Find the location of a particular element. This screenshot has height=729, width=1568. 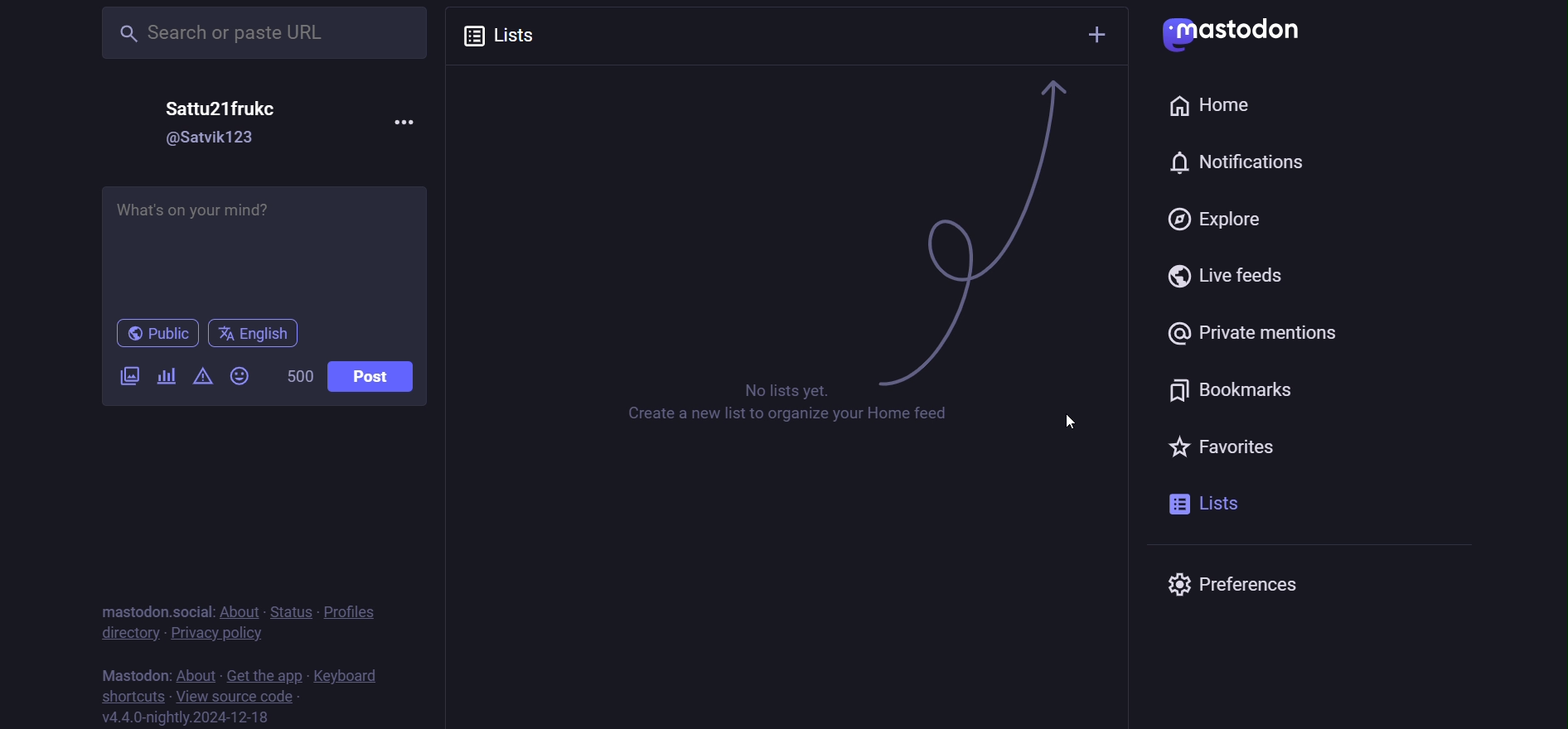

bookmark is located at coordinates (1237, 390).